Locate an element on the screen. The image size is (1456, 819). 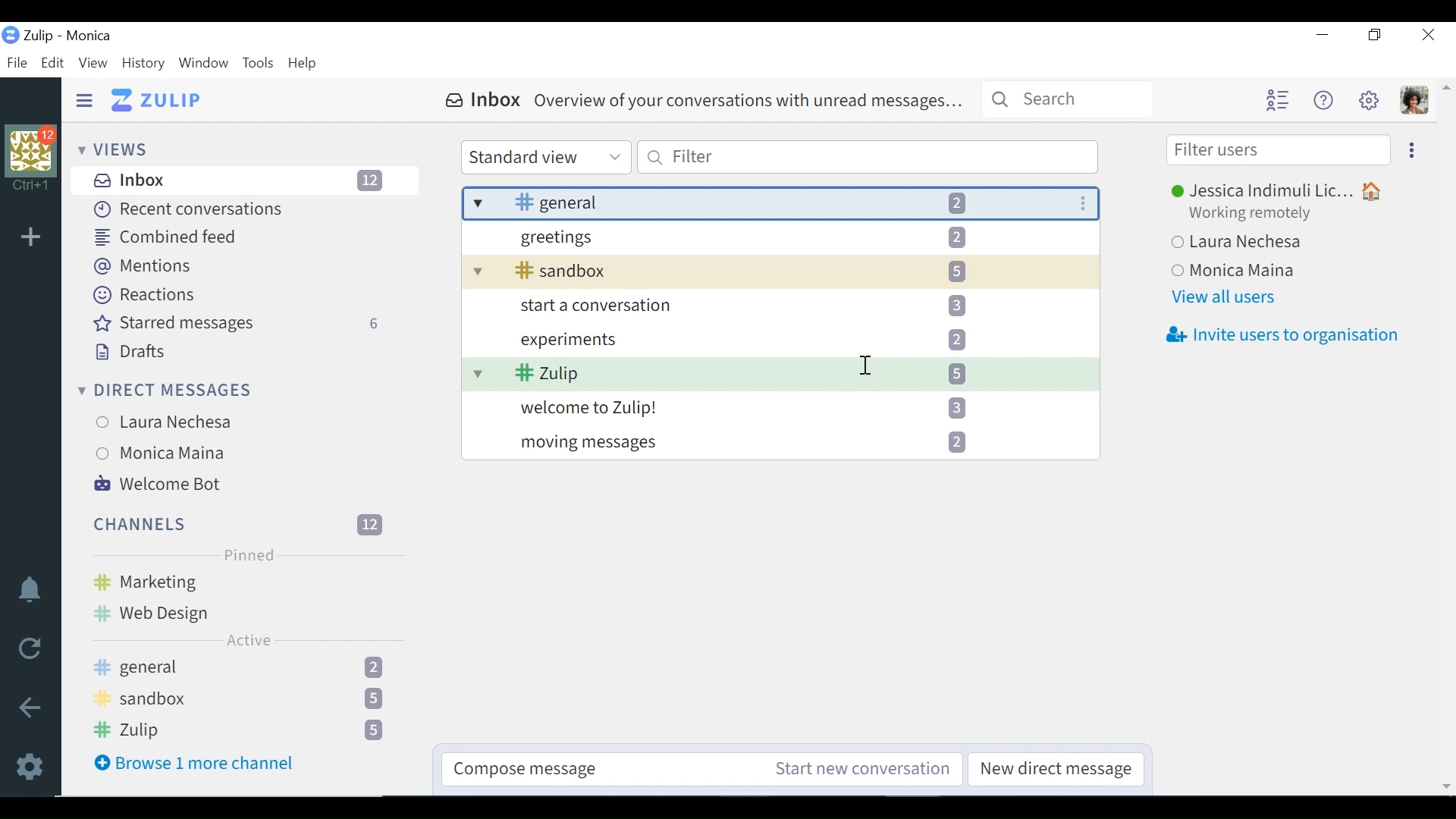
Welcome Bot is located at coordinates (161, 485).